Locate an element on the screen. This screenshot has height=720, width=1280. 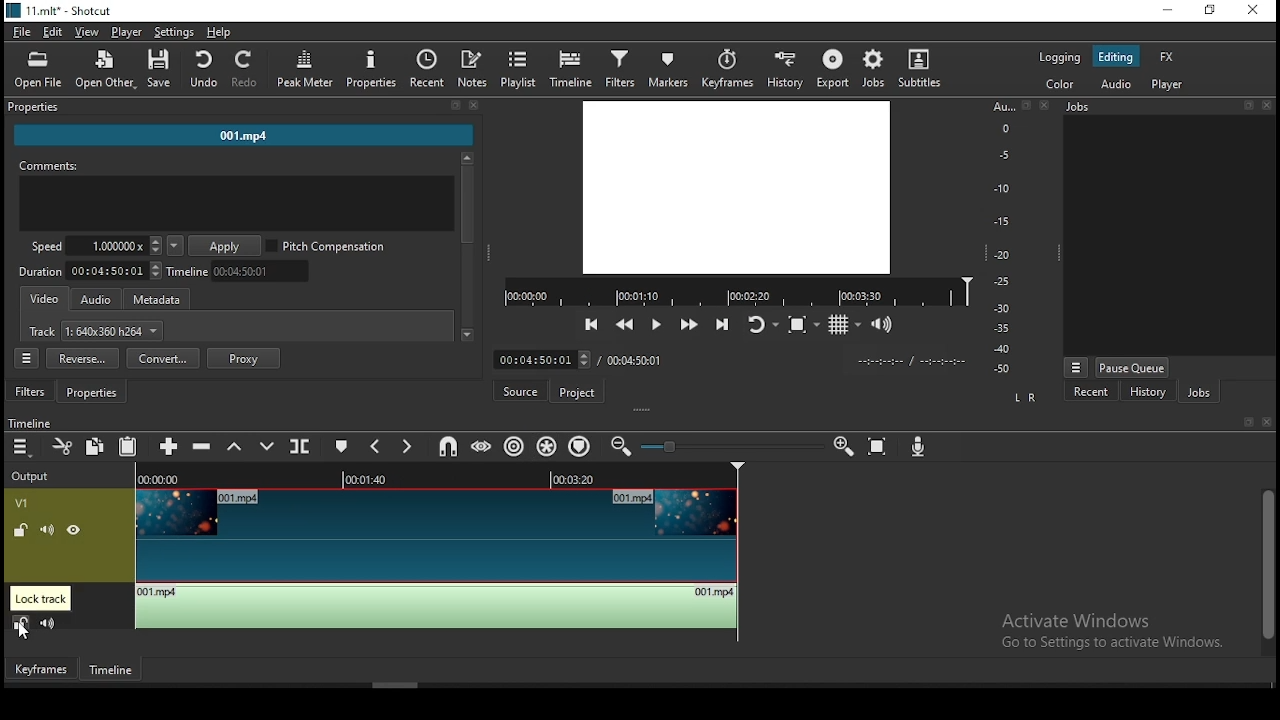
fx is located at coordinates (1167, 57).